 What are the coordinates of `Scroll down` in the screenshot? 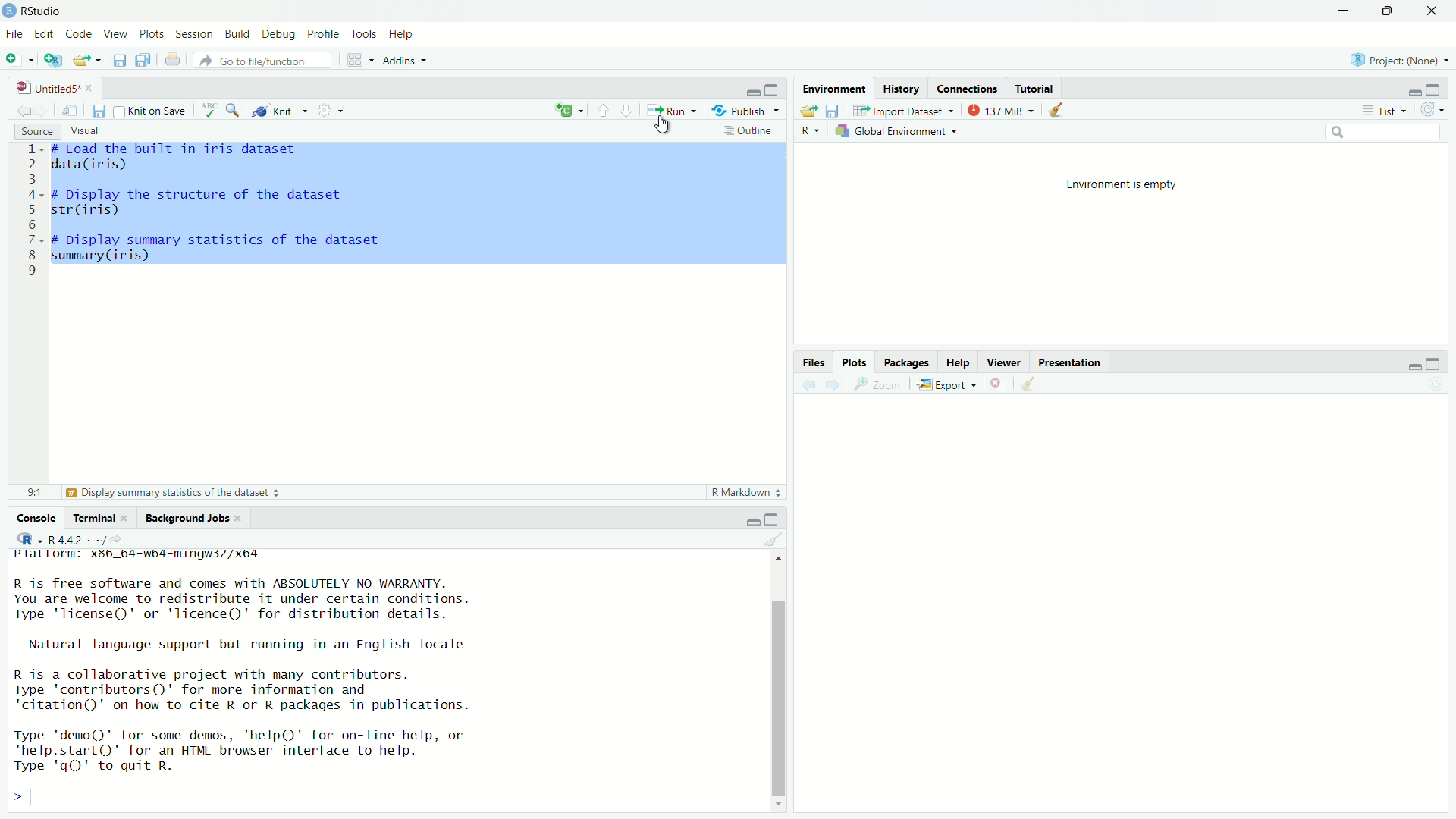 It's located at (780, 805).